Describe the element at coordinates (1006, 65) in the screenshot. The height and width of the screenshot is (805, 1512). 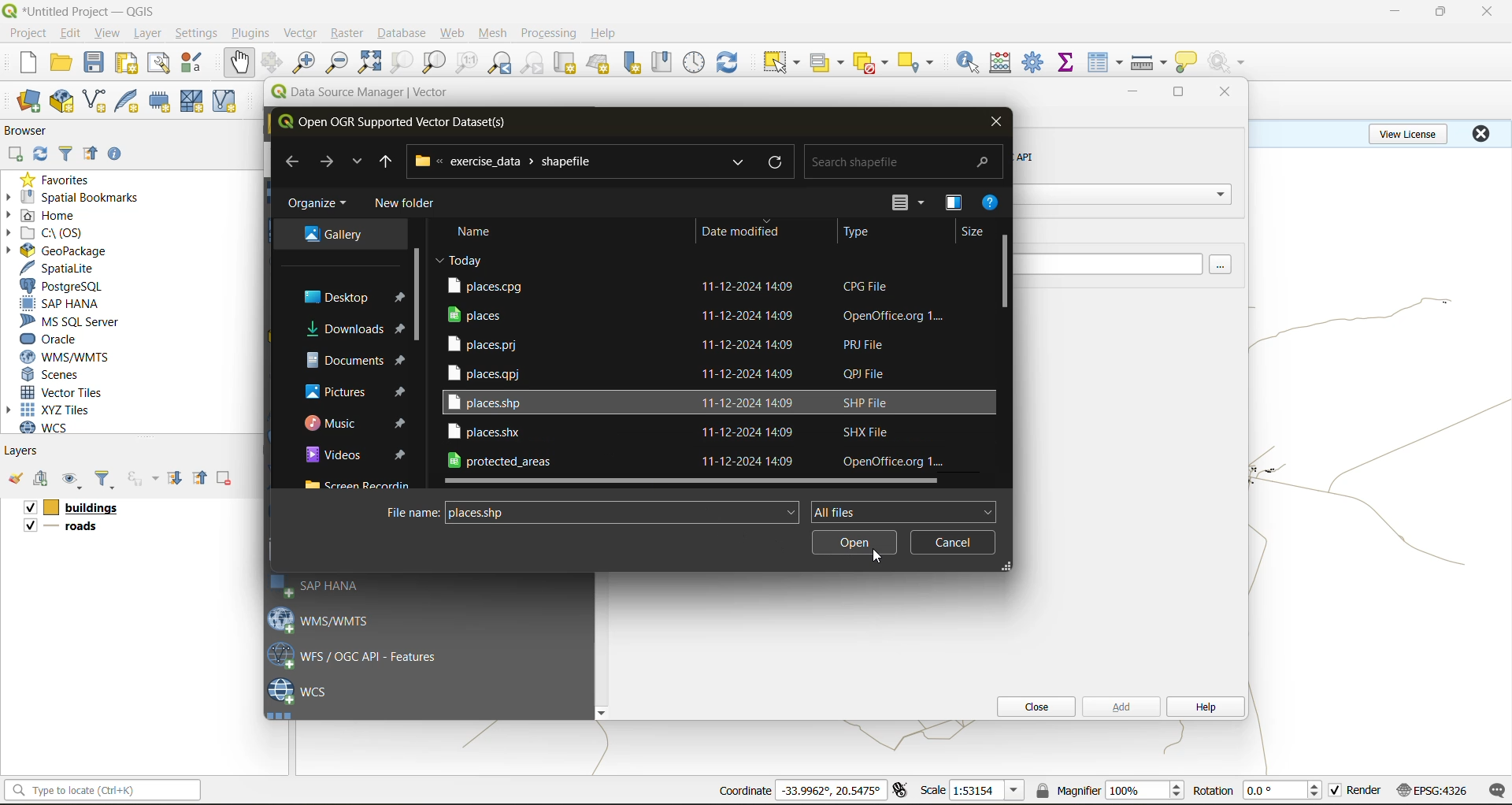
I see `calculator` at that location.